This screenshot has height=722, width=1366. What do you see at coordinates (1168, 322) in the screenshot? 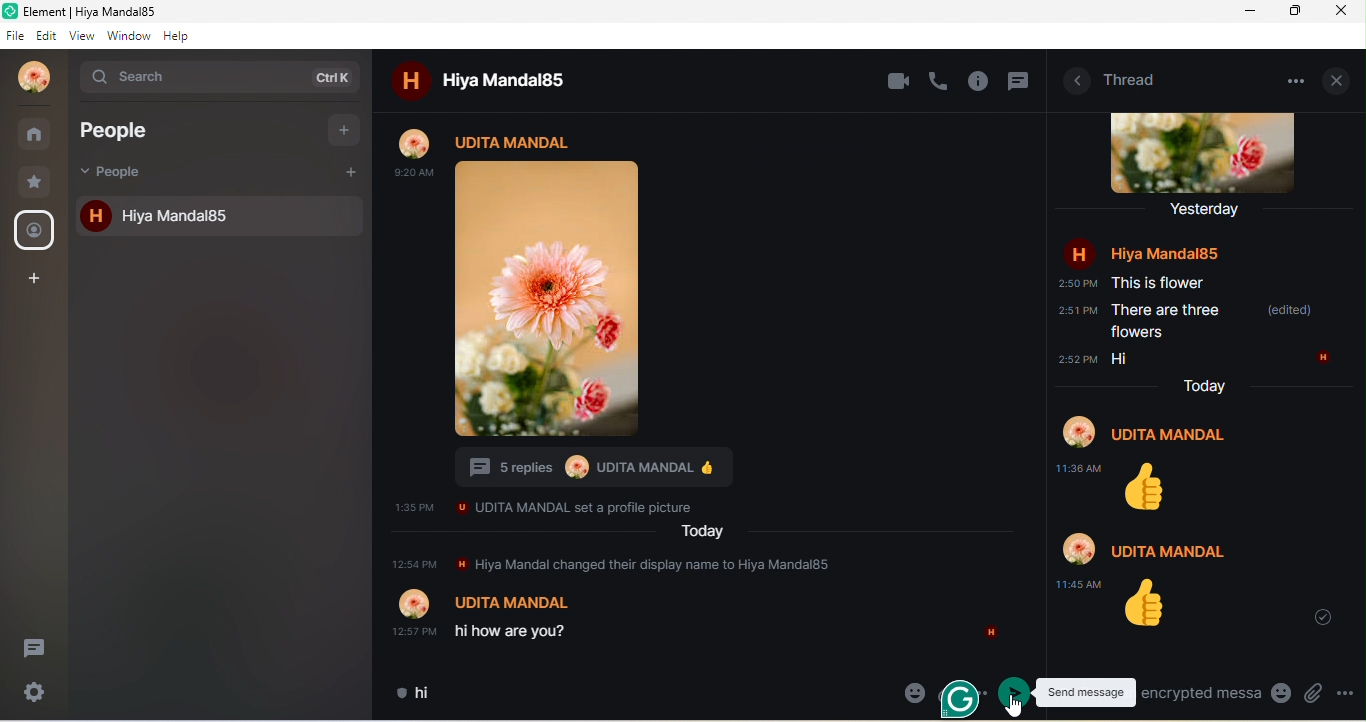
I see `There are three flowers` at bounding box center [1168, 322].